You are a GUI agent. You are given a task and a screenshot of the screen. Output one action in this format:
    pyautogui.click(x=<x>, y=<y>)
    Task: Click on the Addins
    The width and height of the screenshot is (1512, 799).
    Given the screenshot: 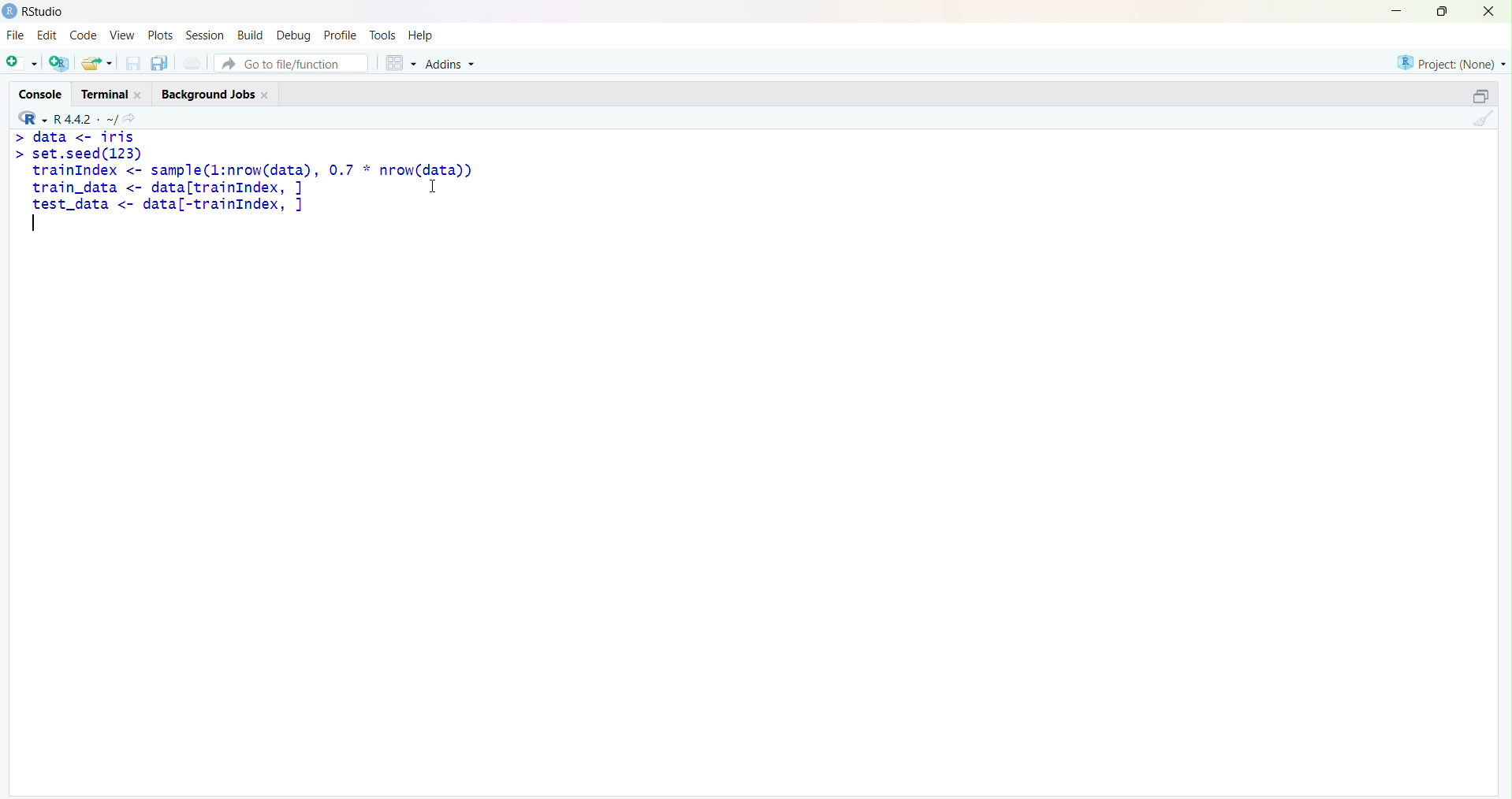 What is the action you would take?
    pyautogui.click(x=452, y=62)
    